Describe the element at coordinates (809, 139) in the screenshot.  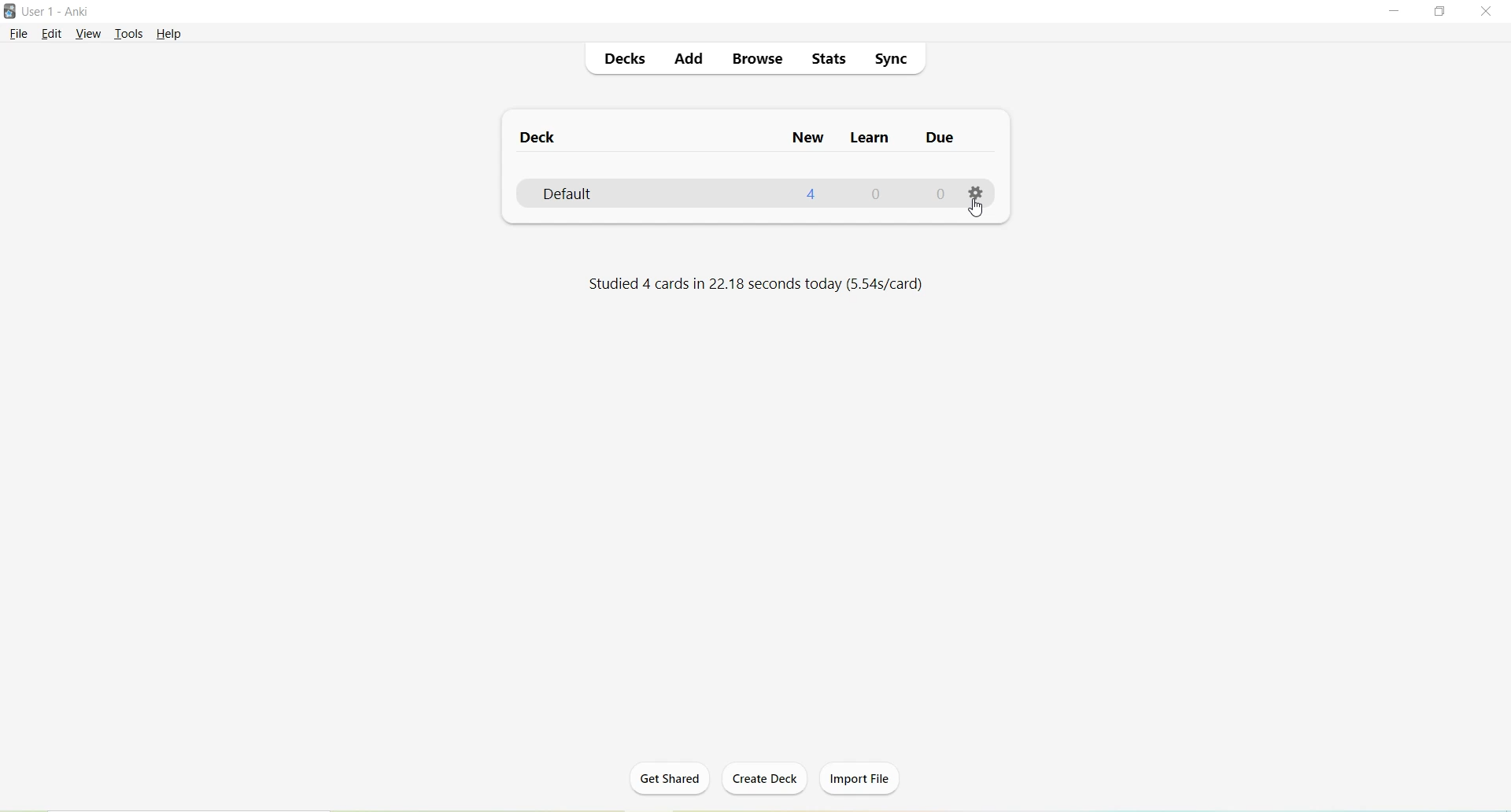
I see `New` at that location.